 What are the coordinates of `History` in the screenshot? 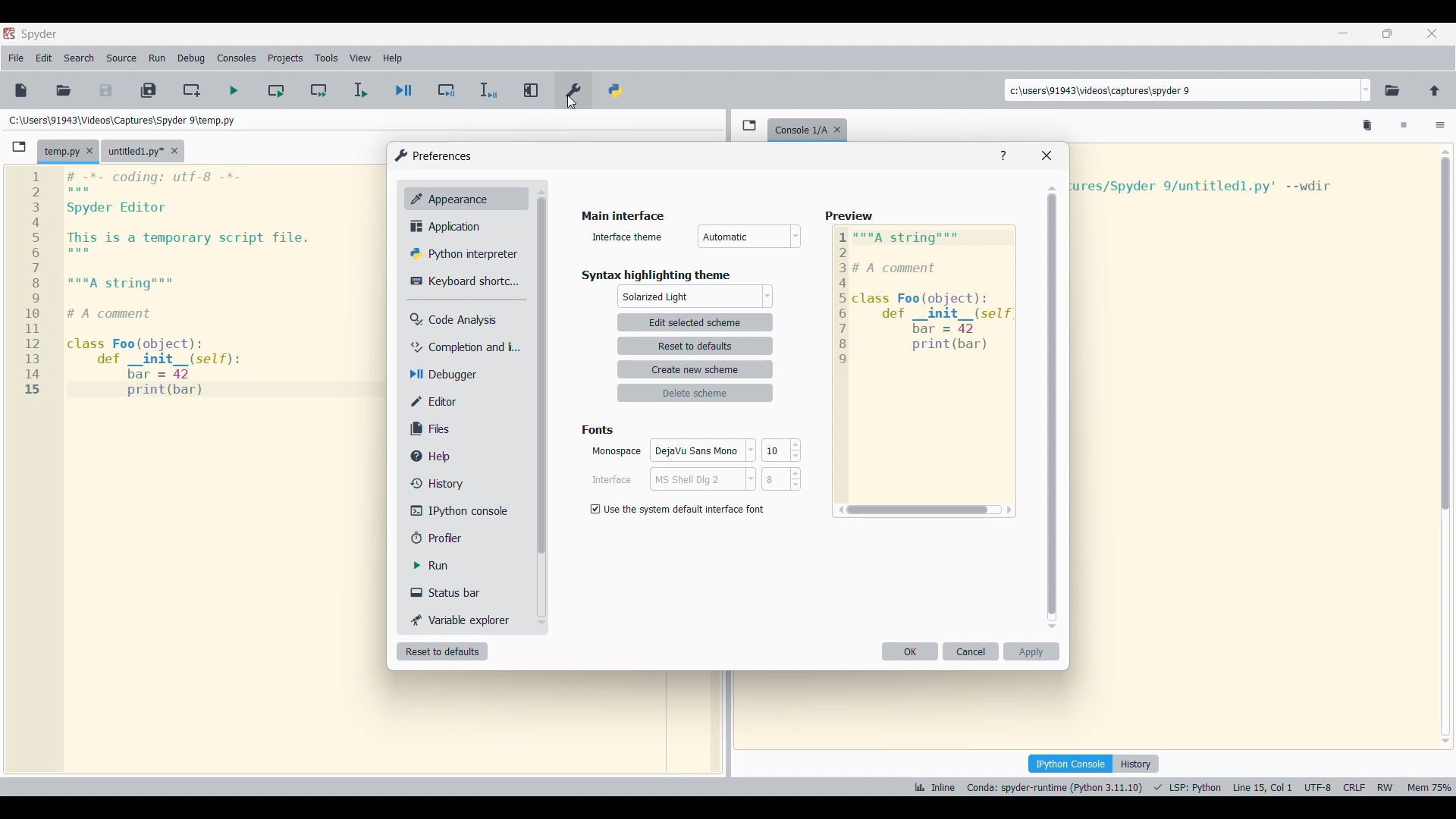 It's located at (1136, 764).